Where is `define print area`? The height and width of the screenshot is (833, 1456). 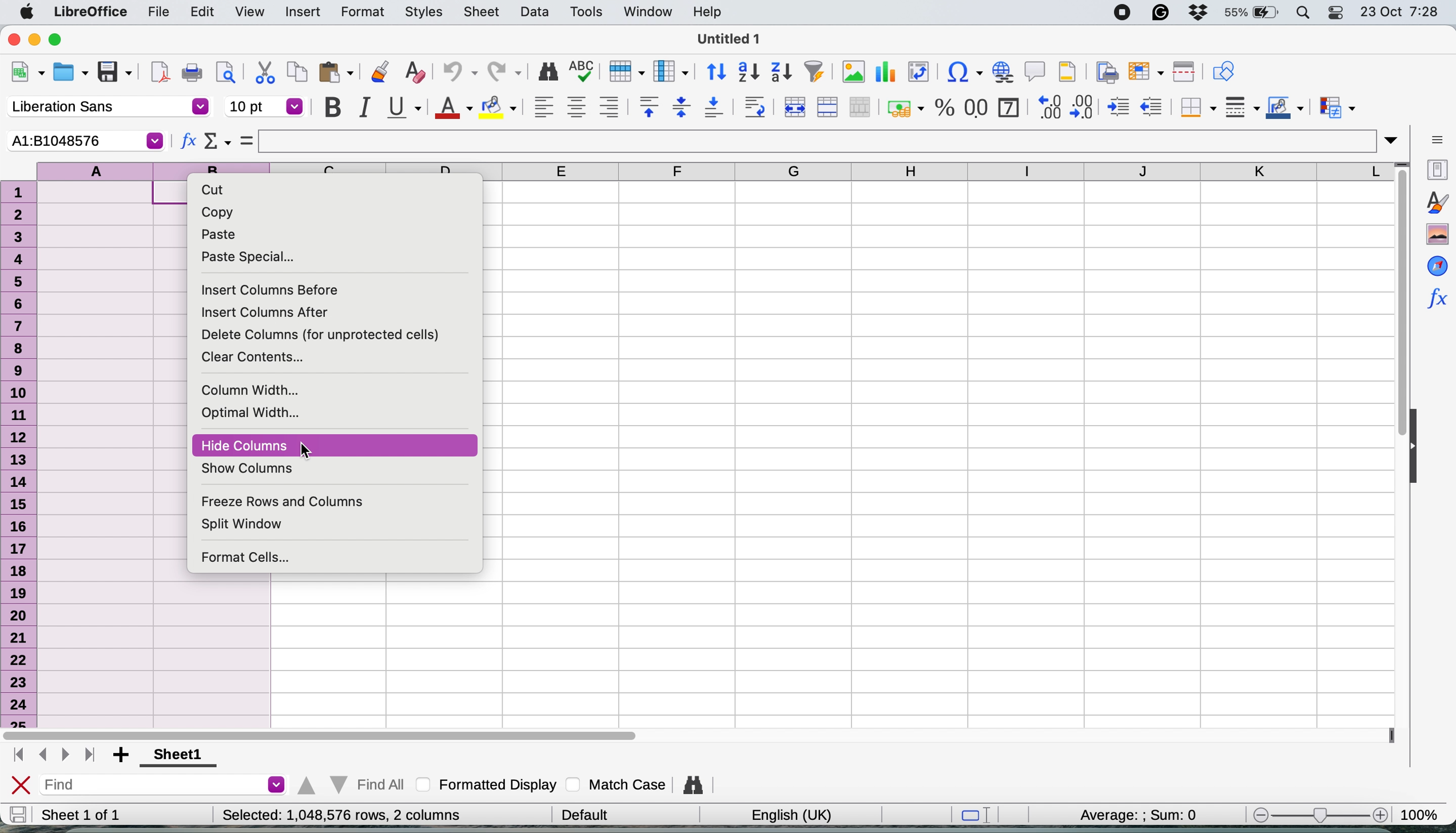 define print area is located at coordinates (1105, 72).